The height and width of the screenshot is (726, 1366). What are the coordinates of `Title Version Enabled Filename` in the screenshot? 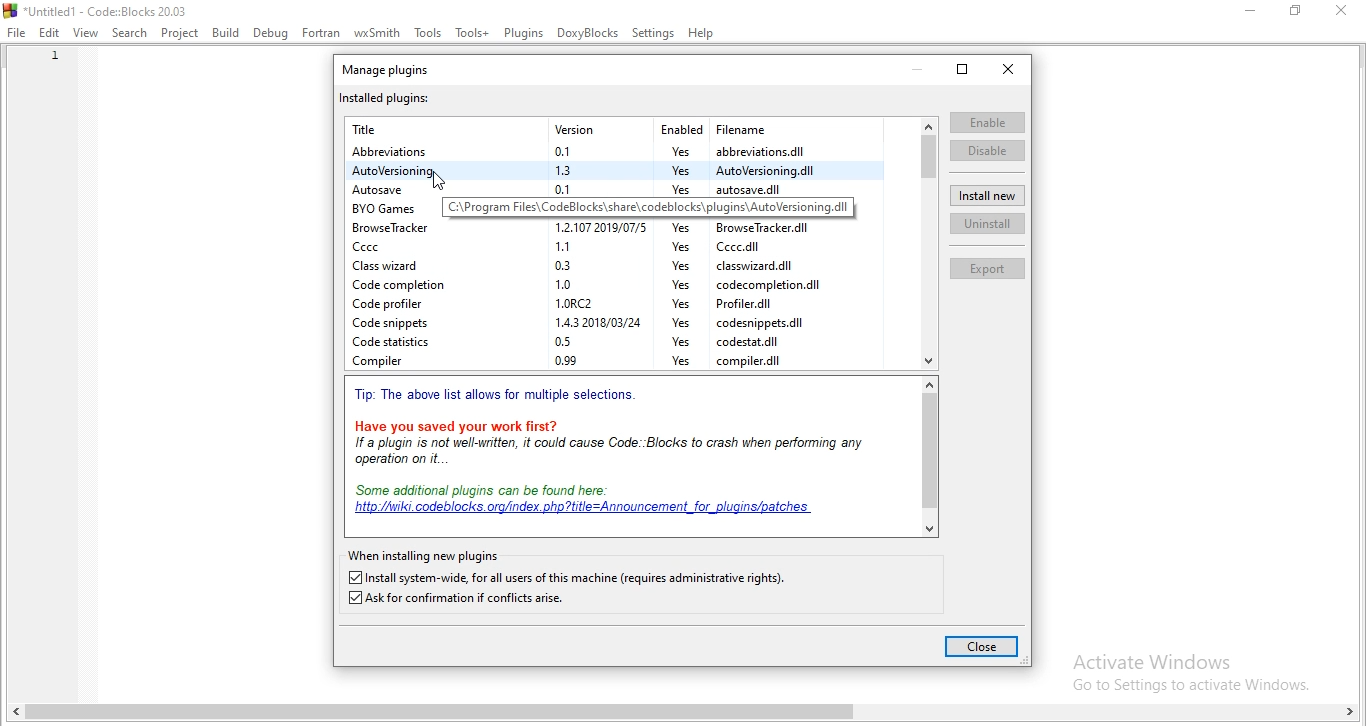 It's located at (572, 129).